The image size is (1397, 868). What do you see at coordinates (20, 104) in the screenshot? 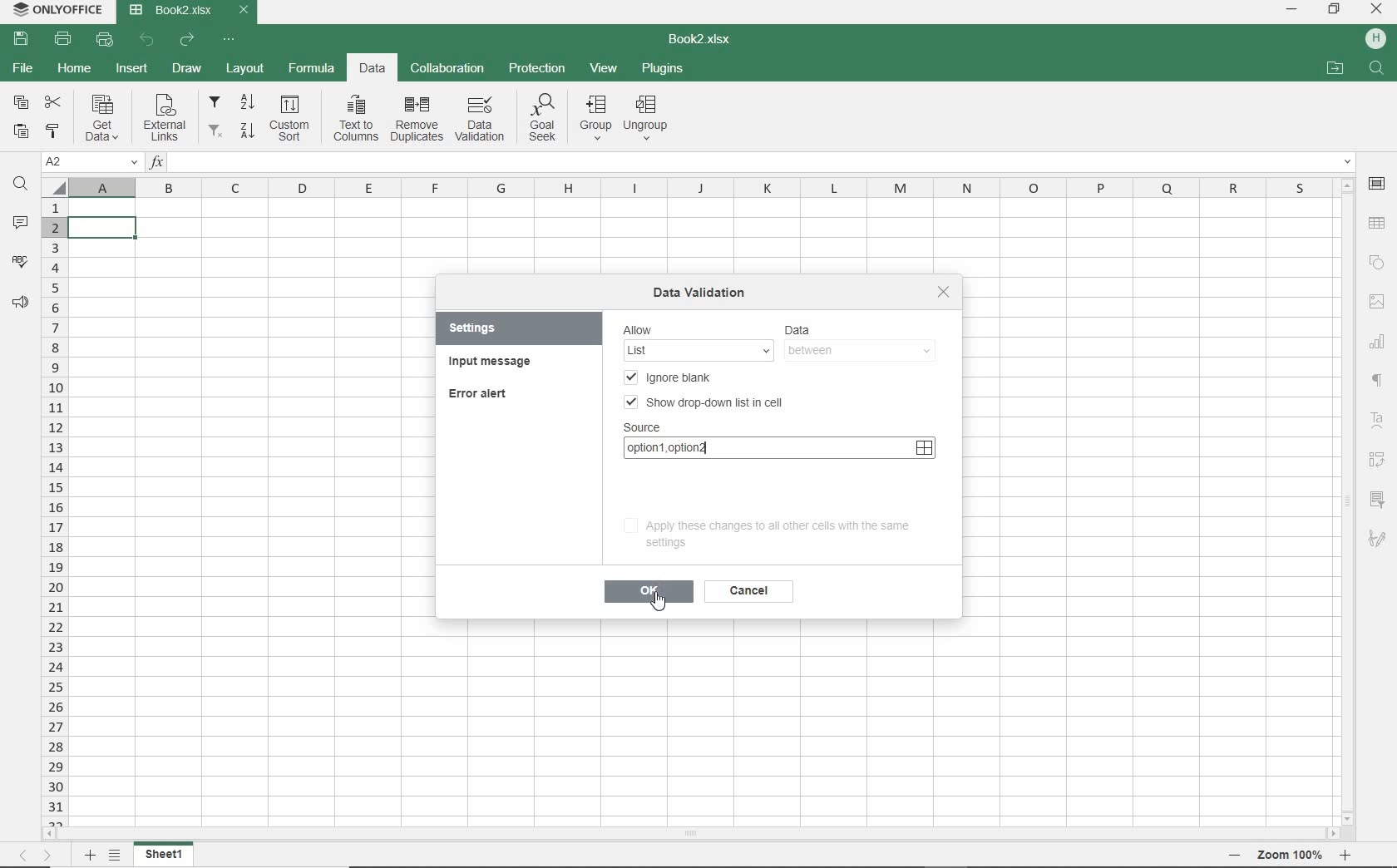
I see `COPY` at bounding box center [20, 104].